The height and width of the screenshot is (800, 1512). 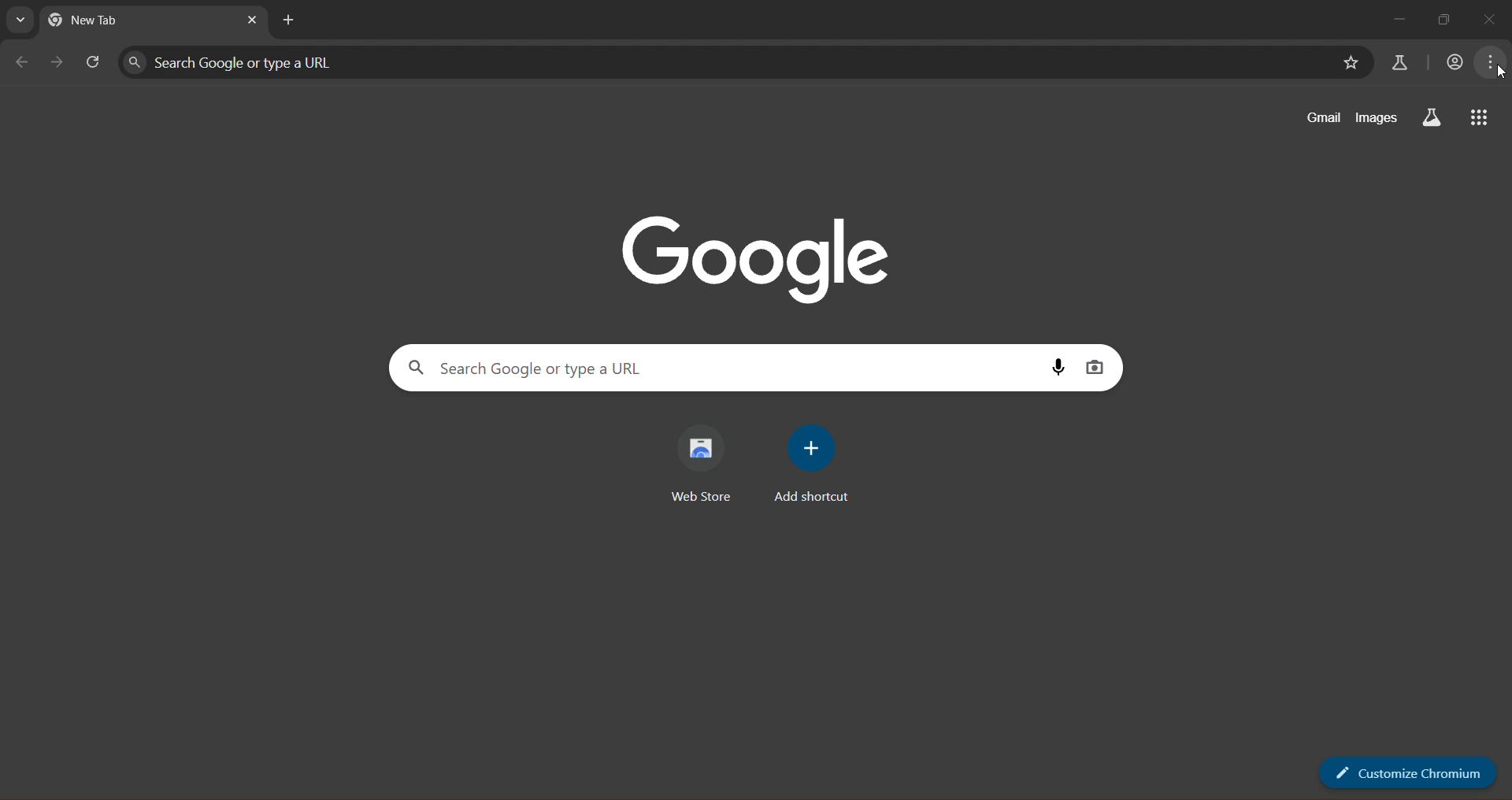 What do you see at coordinates (1354, 65) in the screenshot?
I see `bookmark page` at bounding box center [1354, 65].